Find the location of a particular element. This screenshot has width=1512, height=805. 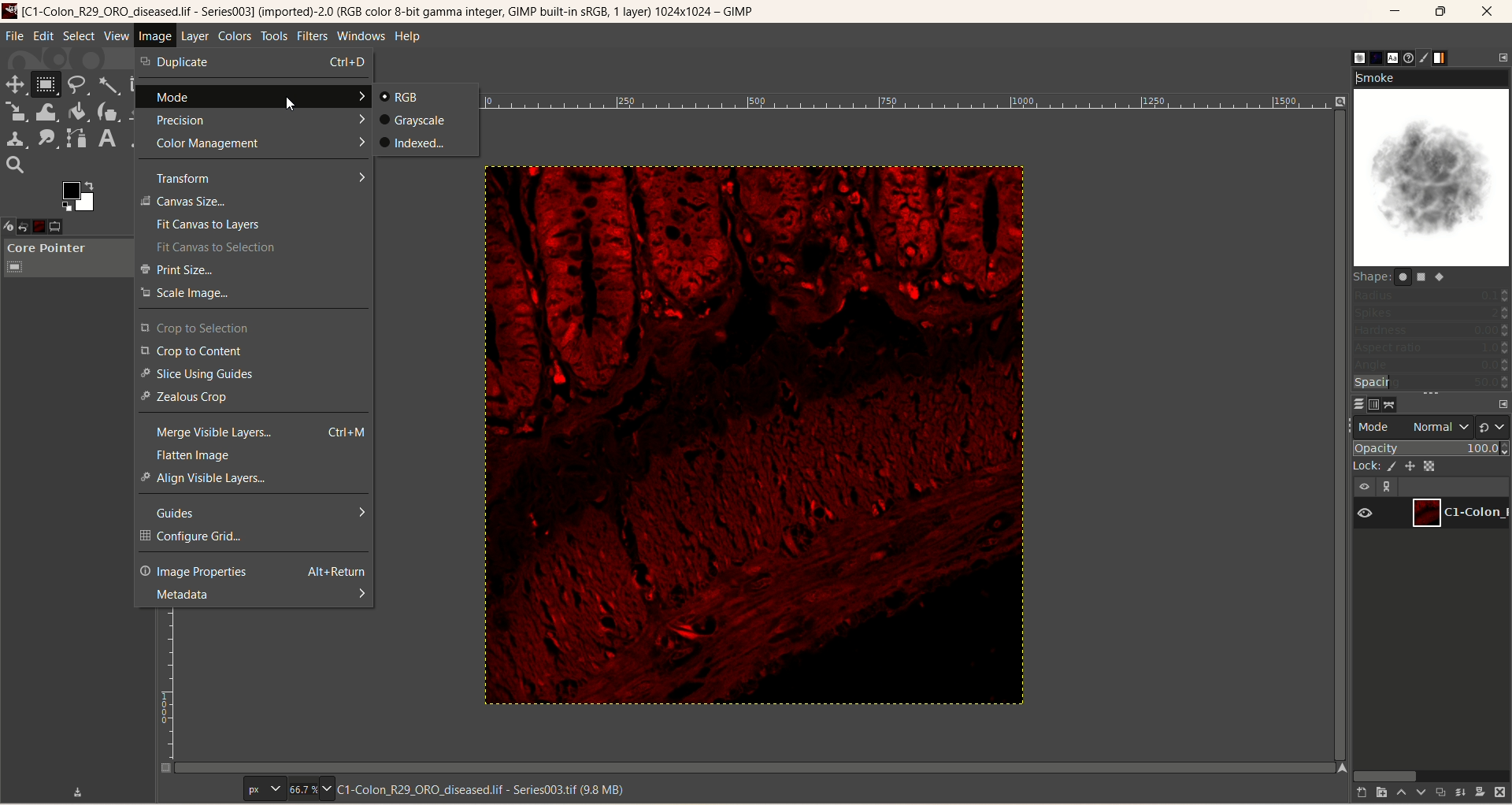

smoke is located at coordinates (1432, 165).